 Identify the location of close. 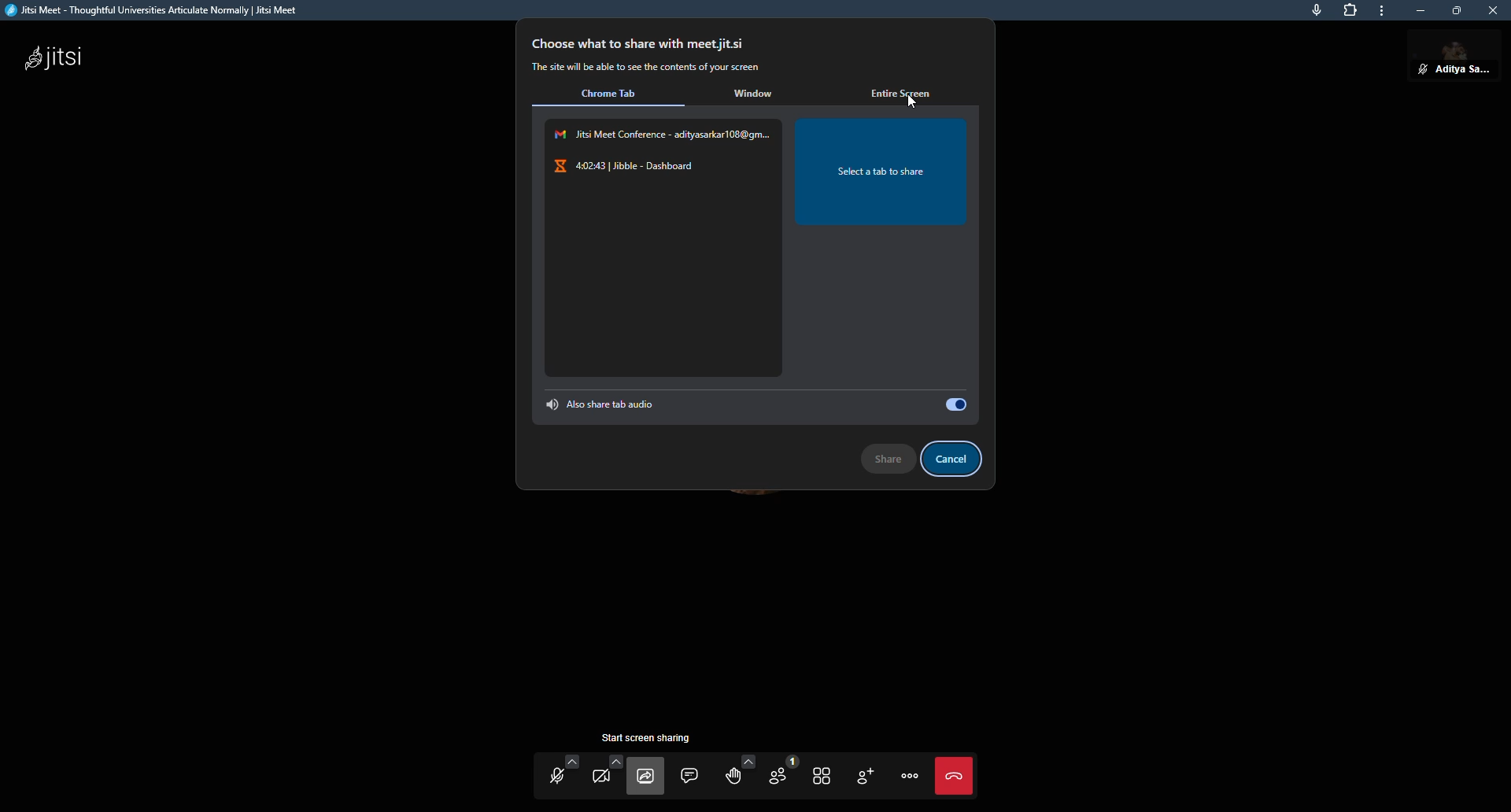
(1493, 13).